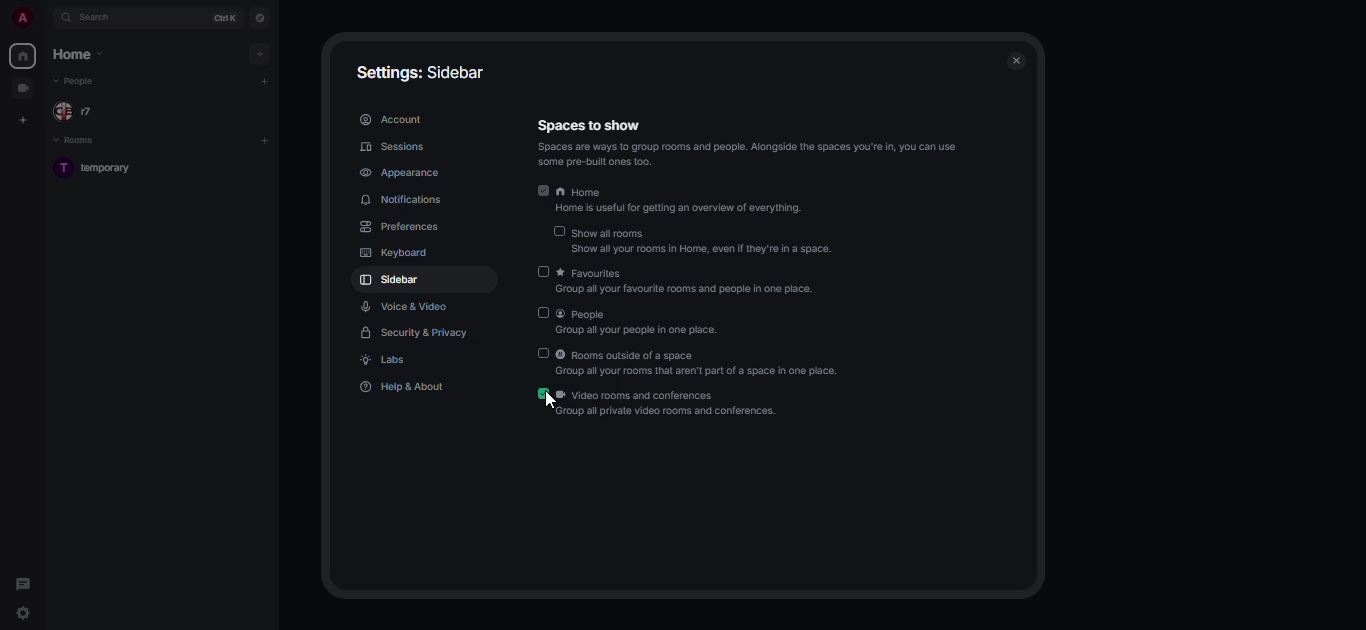 This screenshot has width=1366, height=630. I want to click on add, so click(268, 140).